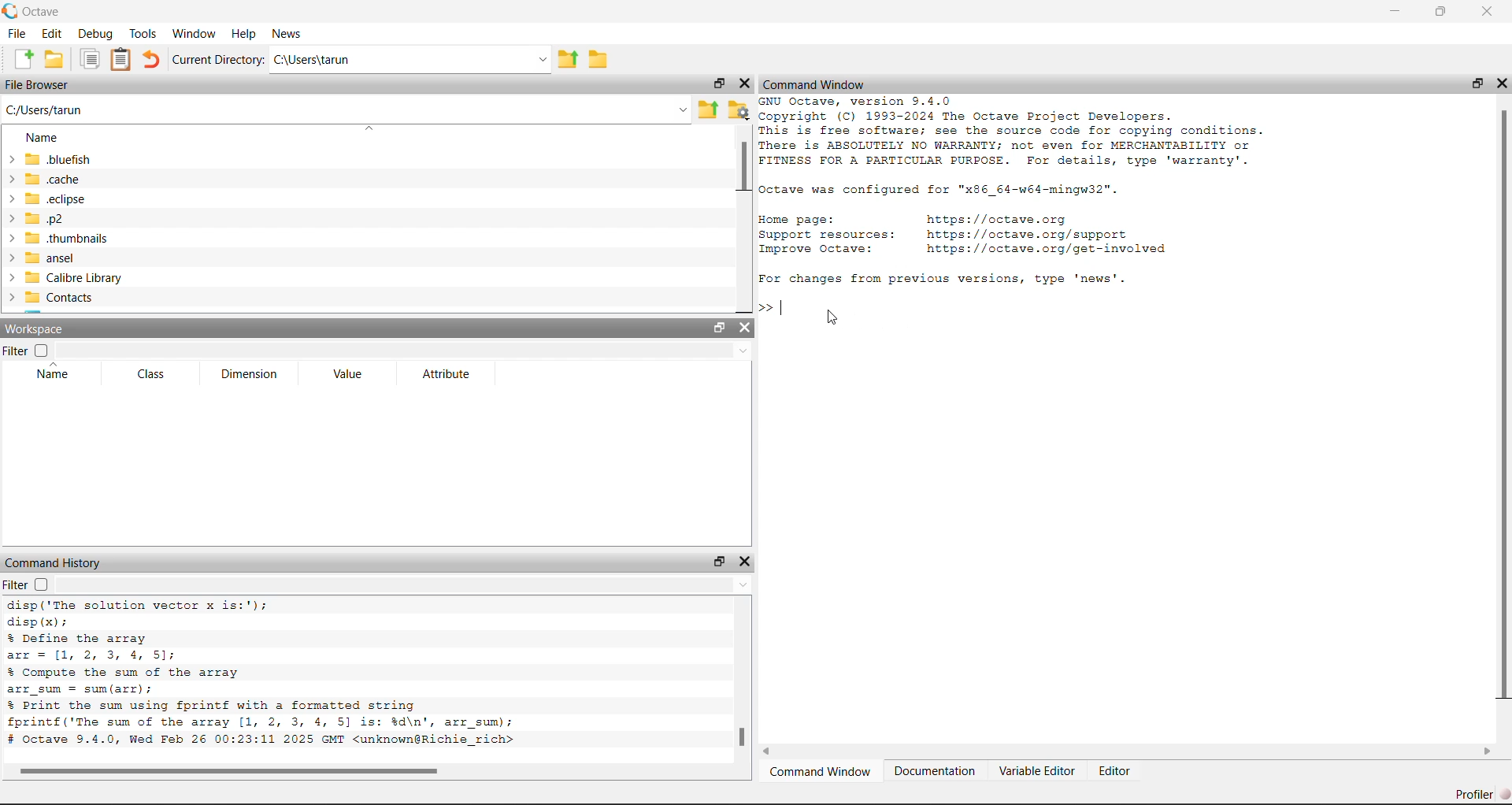 The height and width of the screenshot is (805, 1512). I want to click on Octave, so click(45, 9).